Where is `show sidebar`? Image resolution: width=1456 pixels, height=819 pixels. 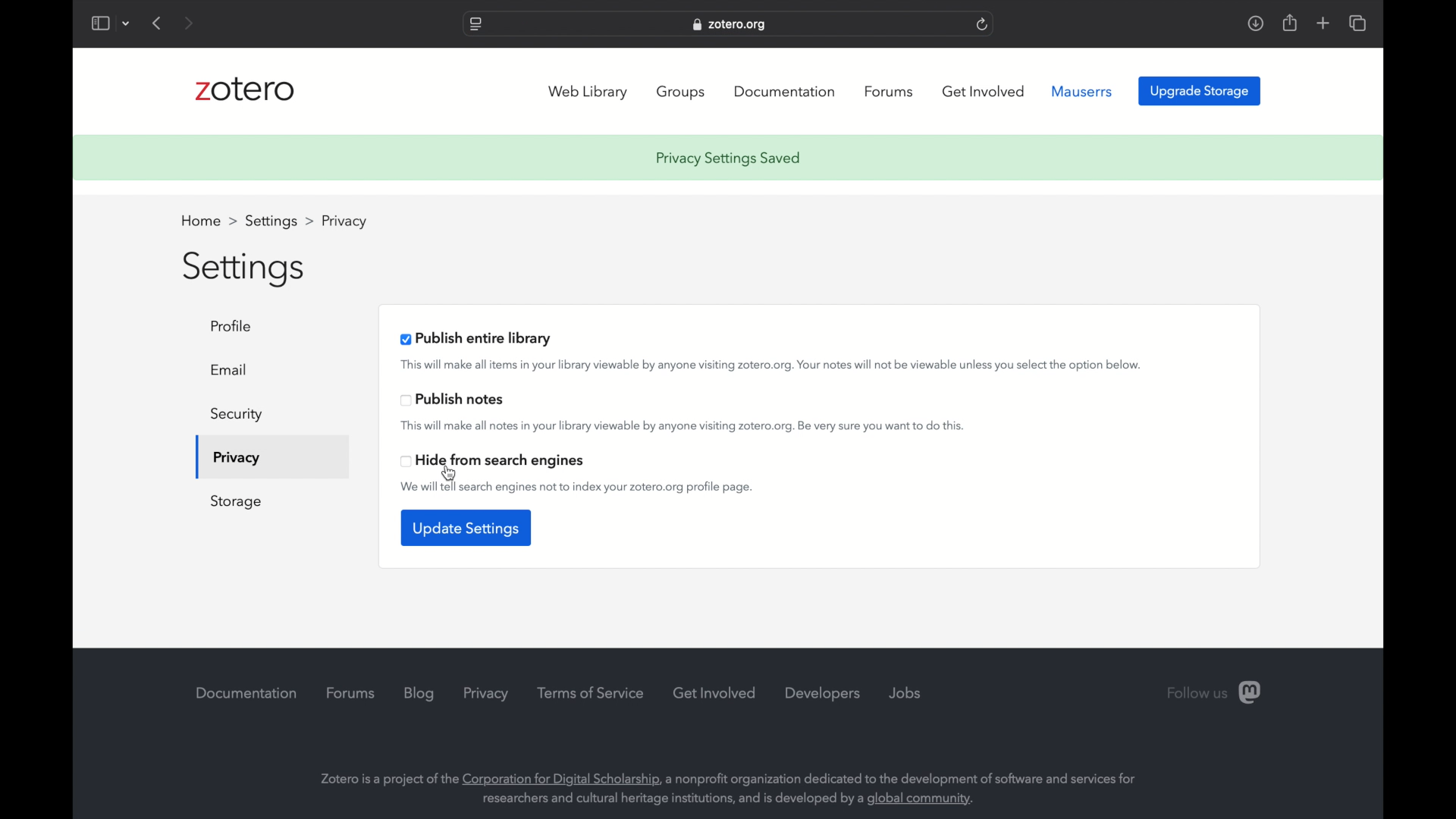
show sidebar is located at coordinates (99, 23).